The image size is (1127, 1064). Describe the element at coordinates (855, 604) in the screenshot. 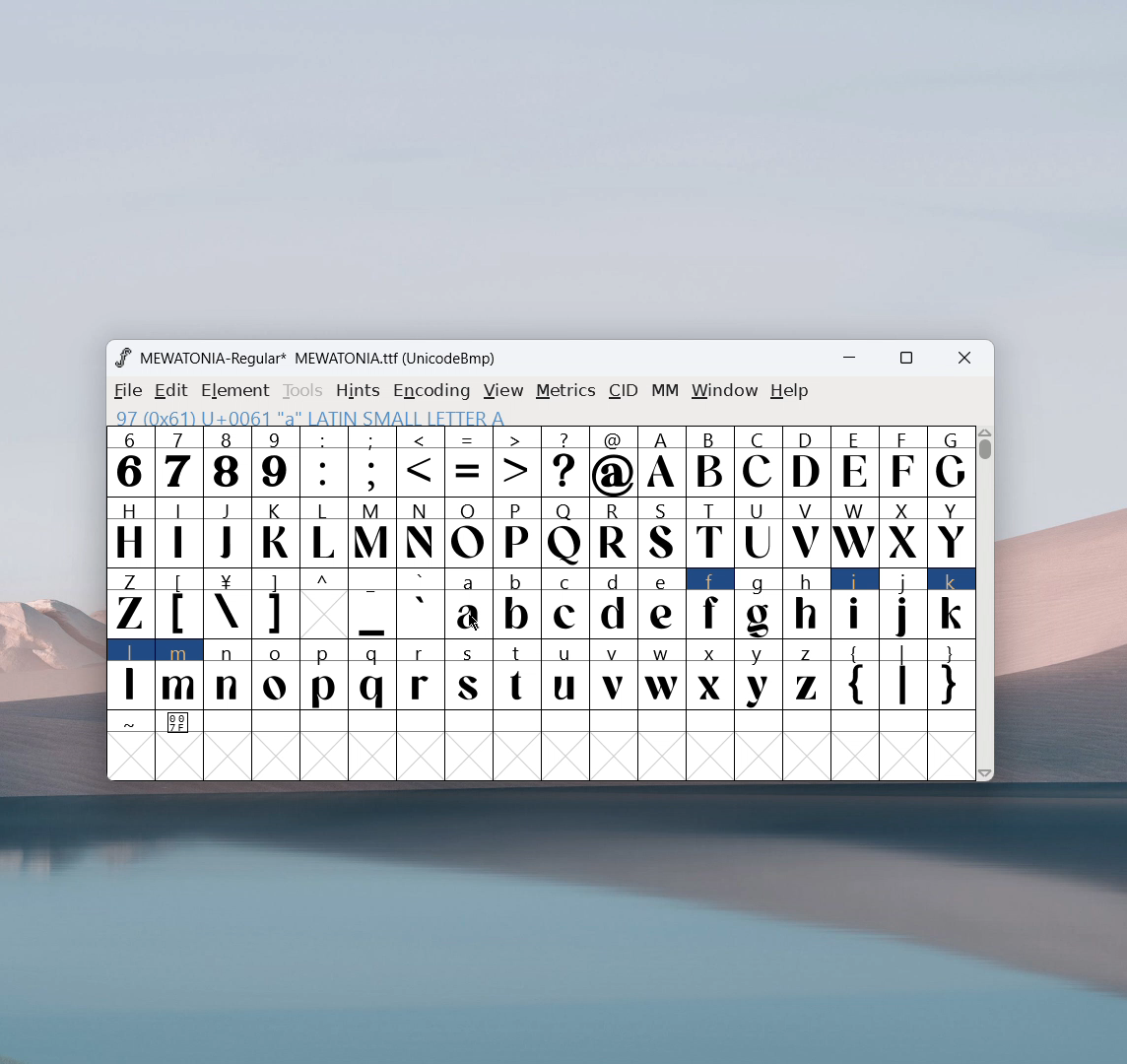

I see `i` at that location.